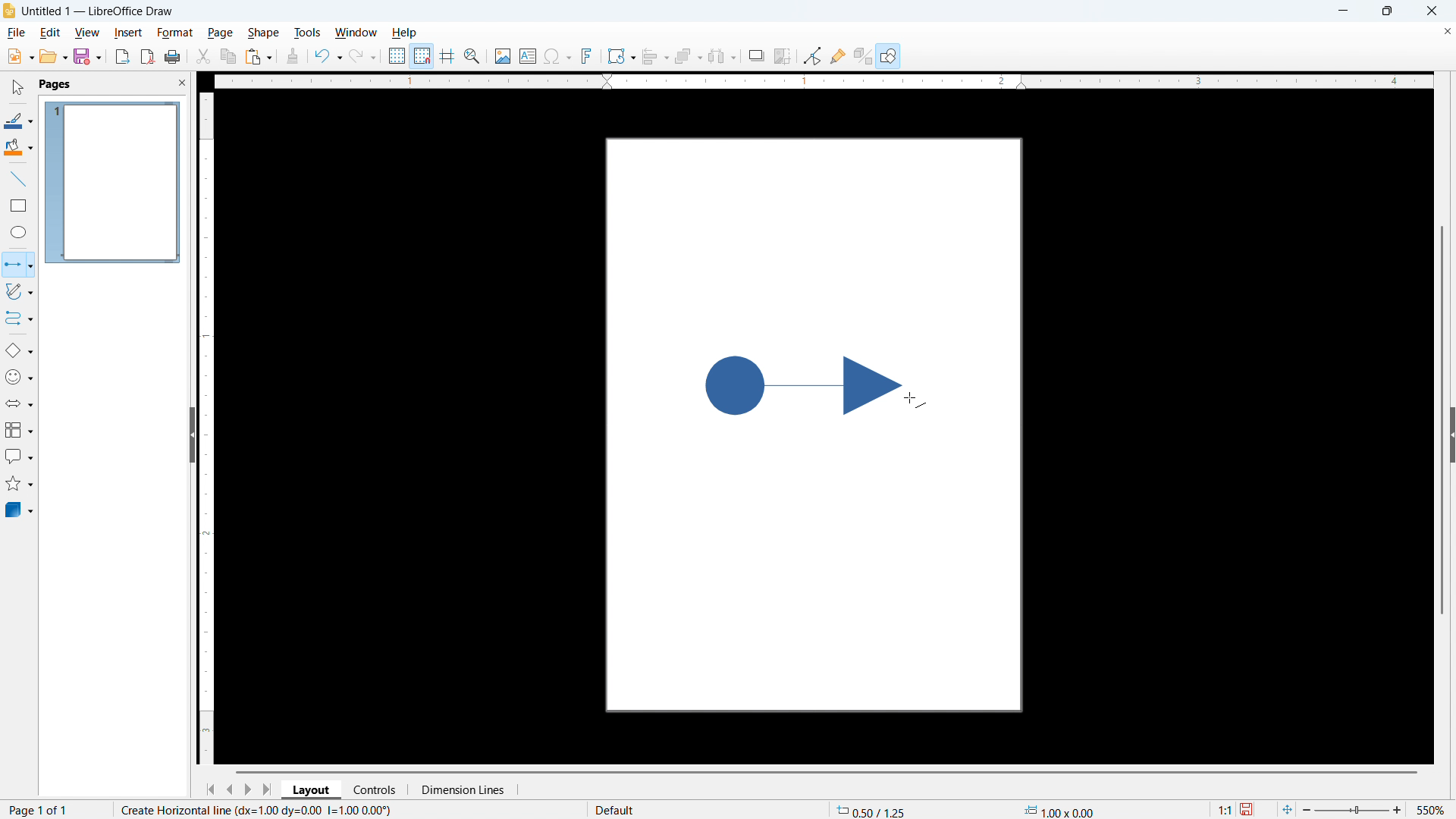 Image resolution: width=1456 pixels, height=819 pixels. What do you see at coordinates (329, 57) in the screenshot?
I see `Undo ` at bounding box center [329, 57].